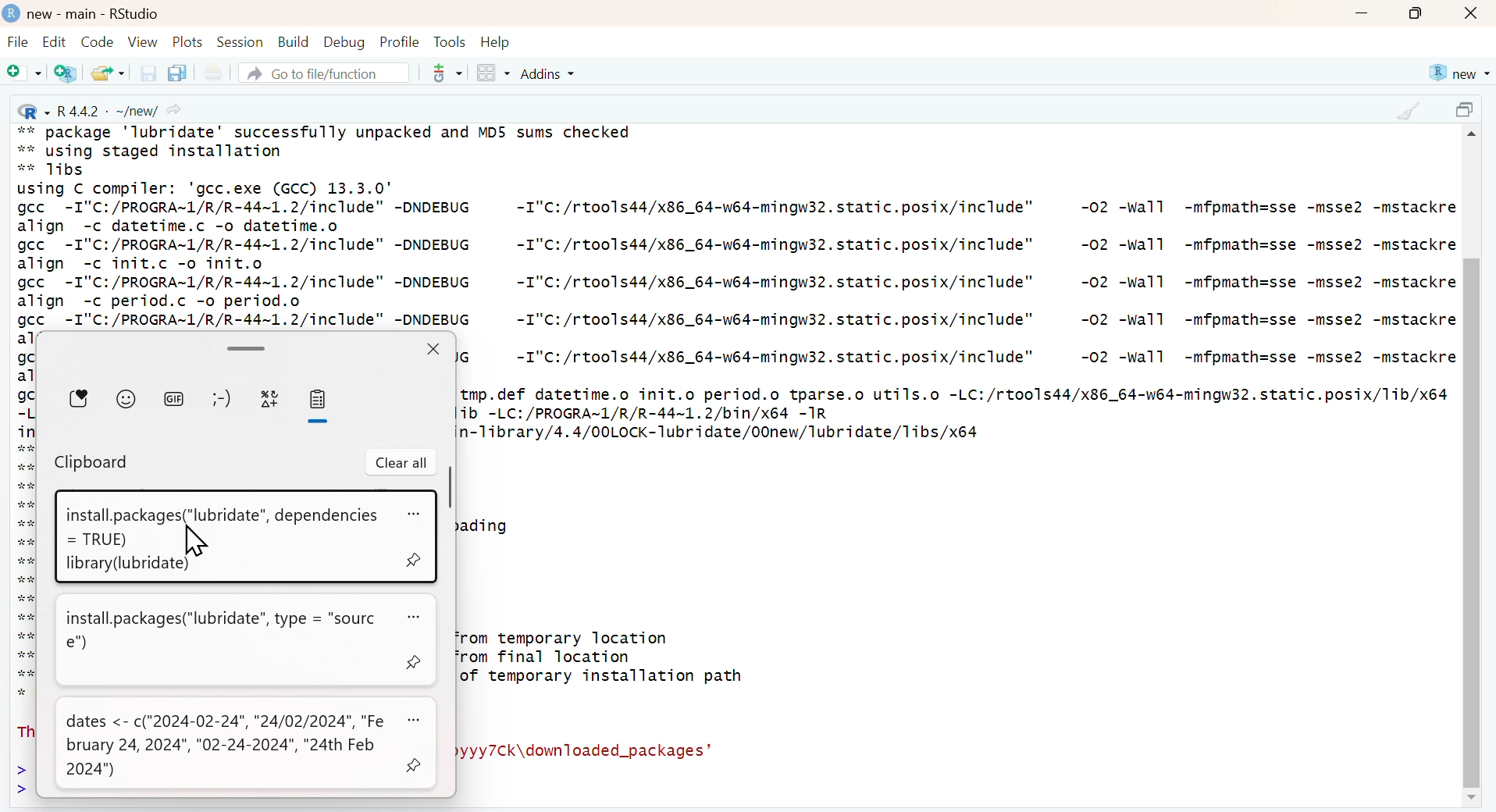  What do you see at coordinates (225, 630) in the screenshot?
I see `install.packages("lubridate”, type = "sourc
e")` at bounding box center [225, 630].